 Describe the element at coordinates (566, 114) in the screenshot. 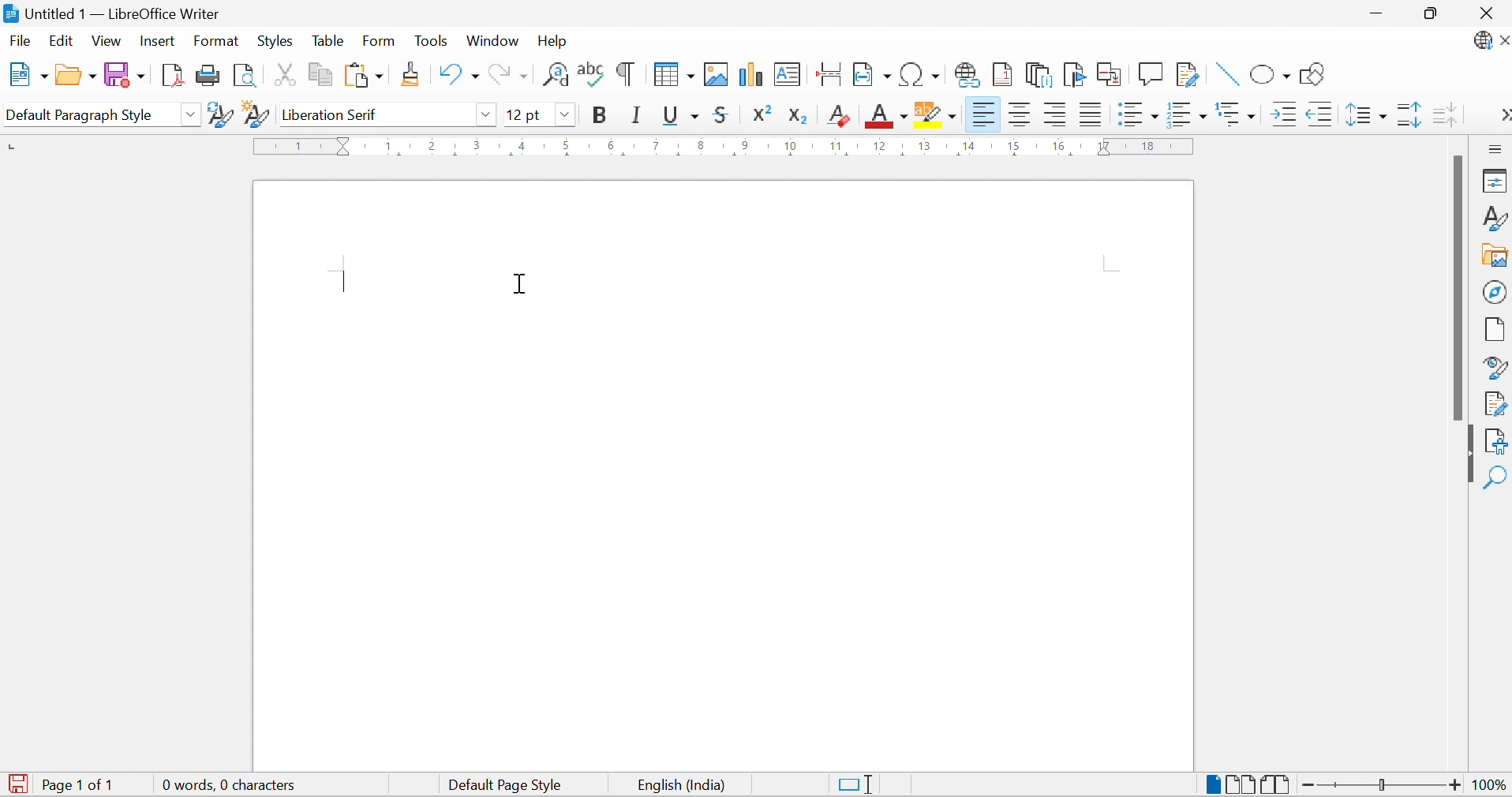

I see `Drop Down` at that location.